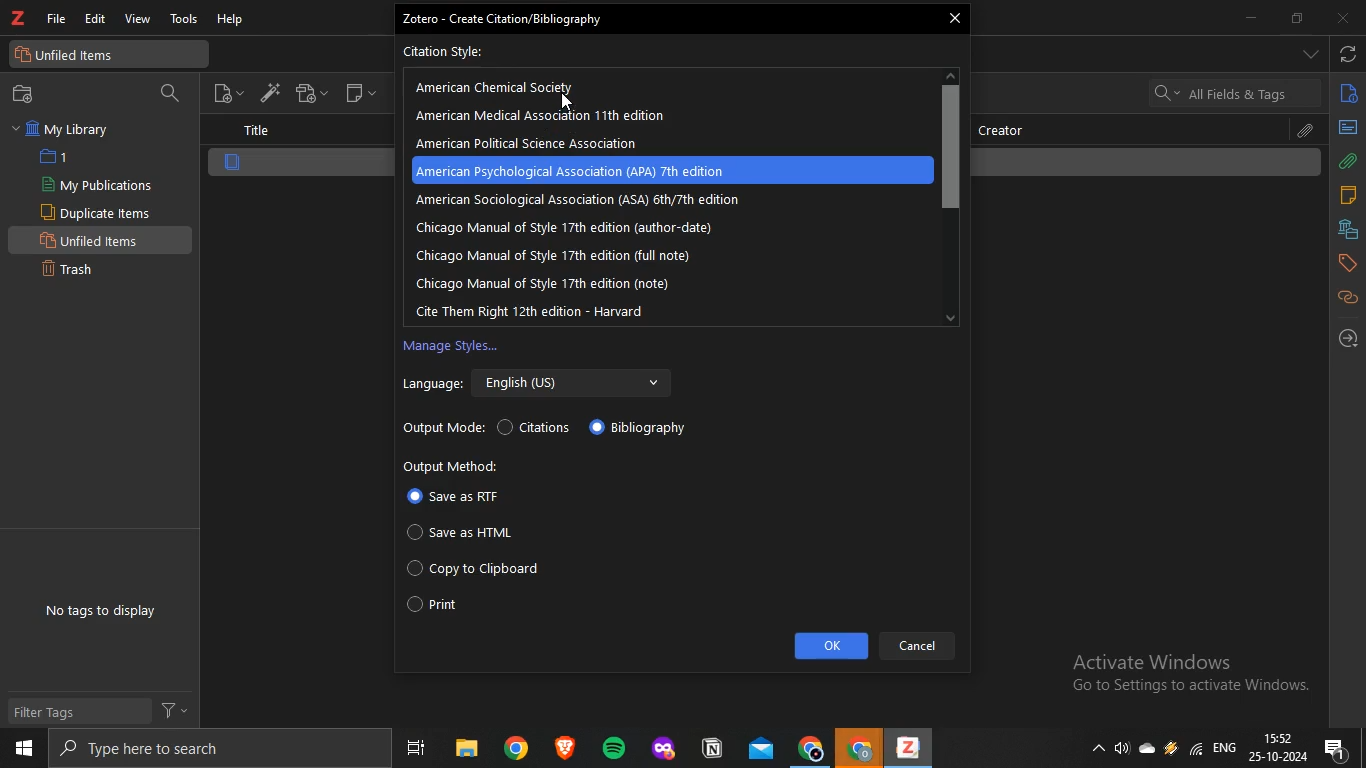 Image resolution: width=1366 pixels, height=768 pixels. Describe the element at coordinates (24, 750) in the screenshot. I see `start` at that location.